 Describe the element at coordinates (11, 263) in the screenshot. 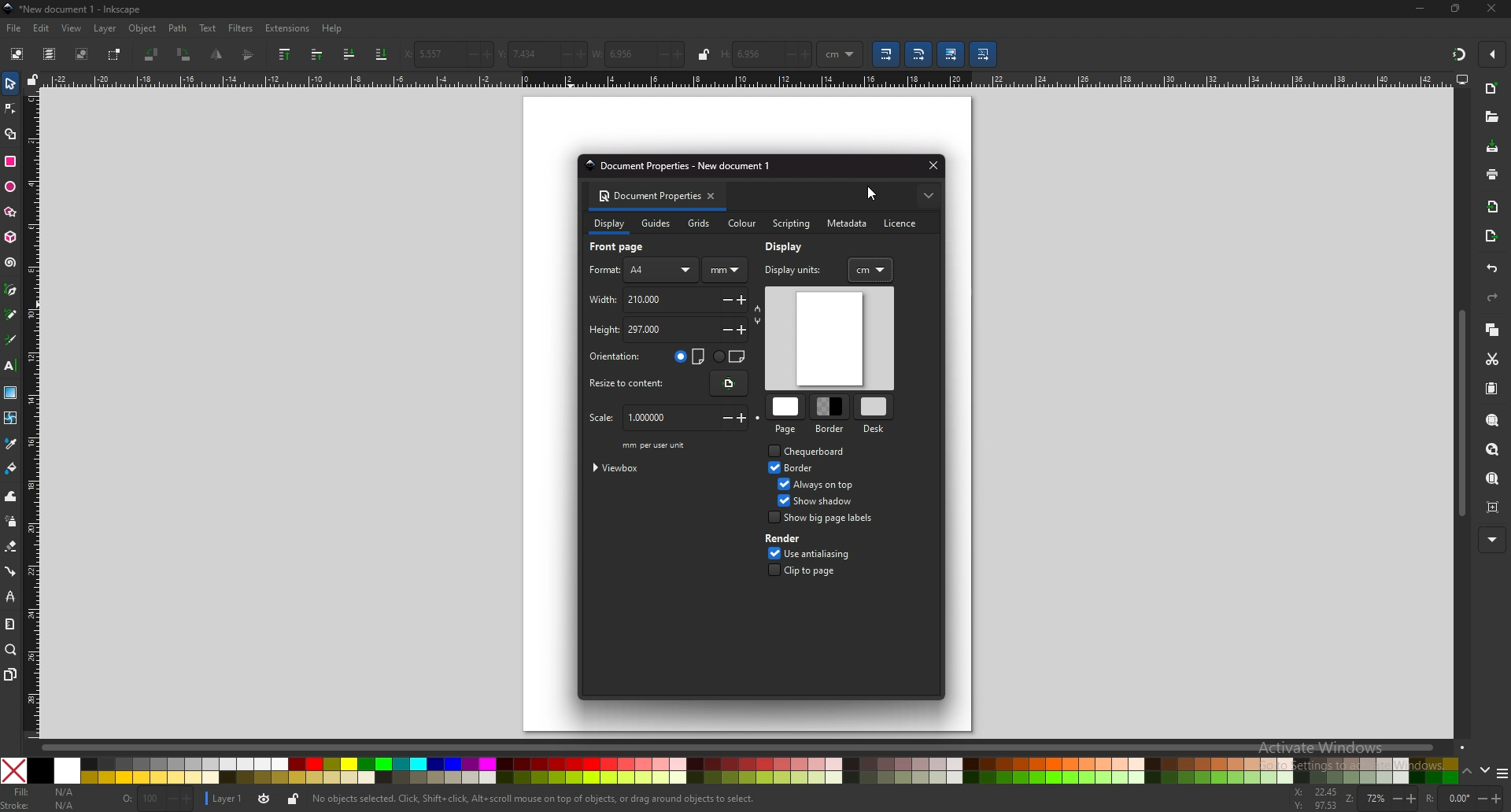

I see `spiral` at that location.